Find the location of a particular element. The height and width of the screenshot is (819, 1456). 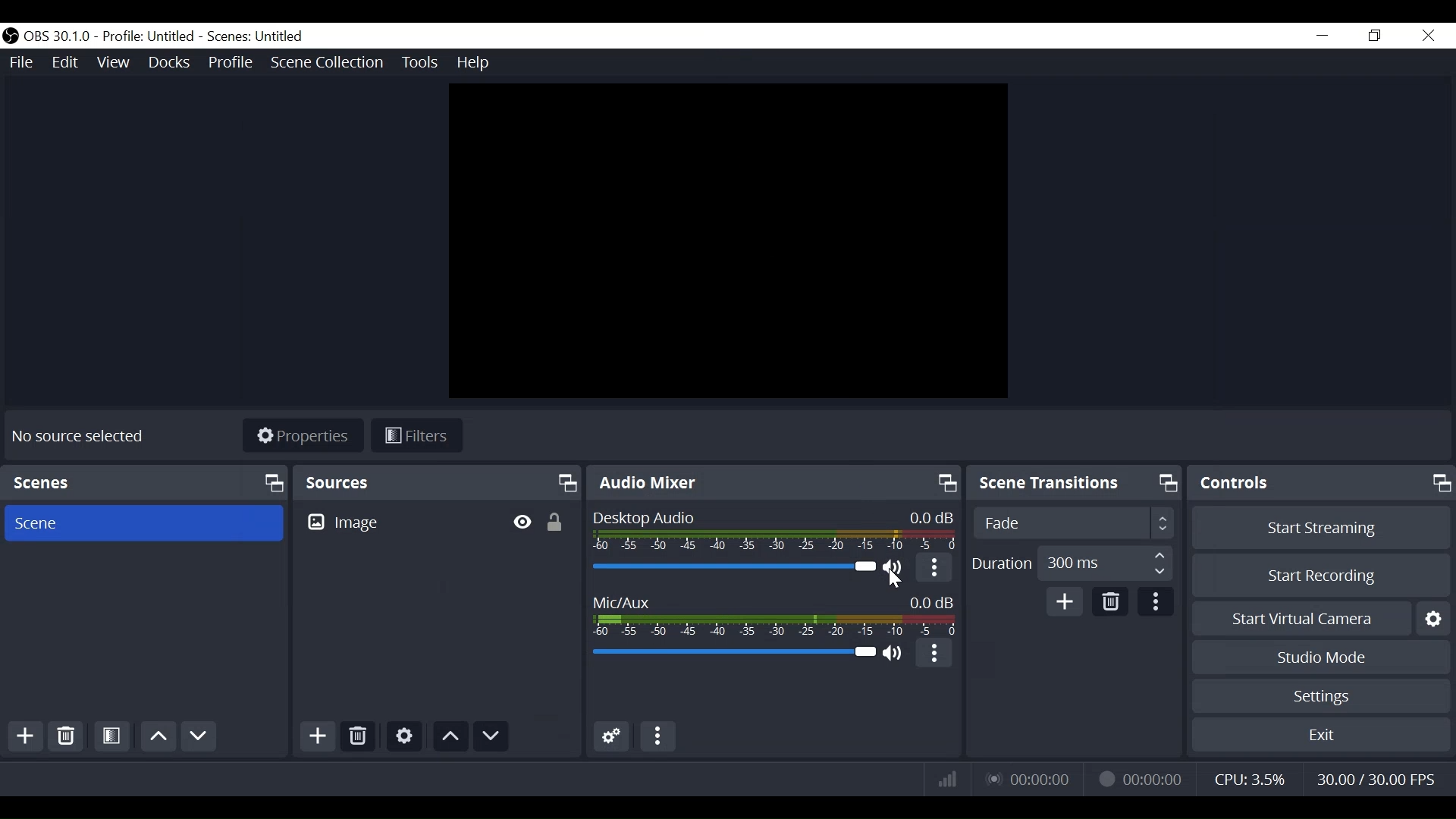

minimize is located at coordinates (1323, 36).